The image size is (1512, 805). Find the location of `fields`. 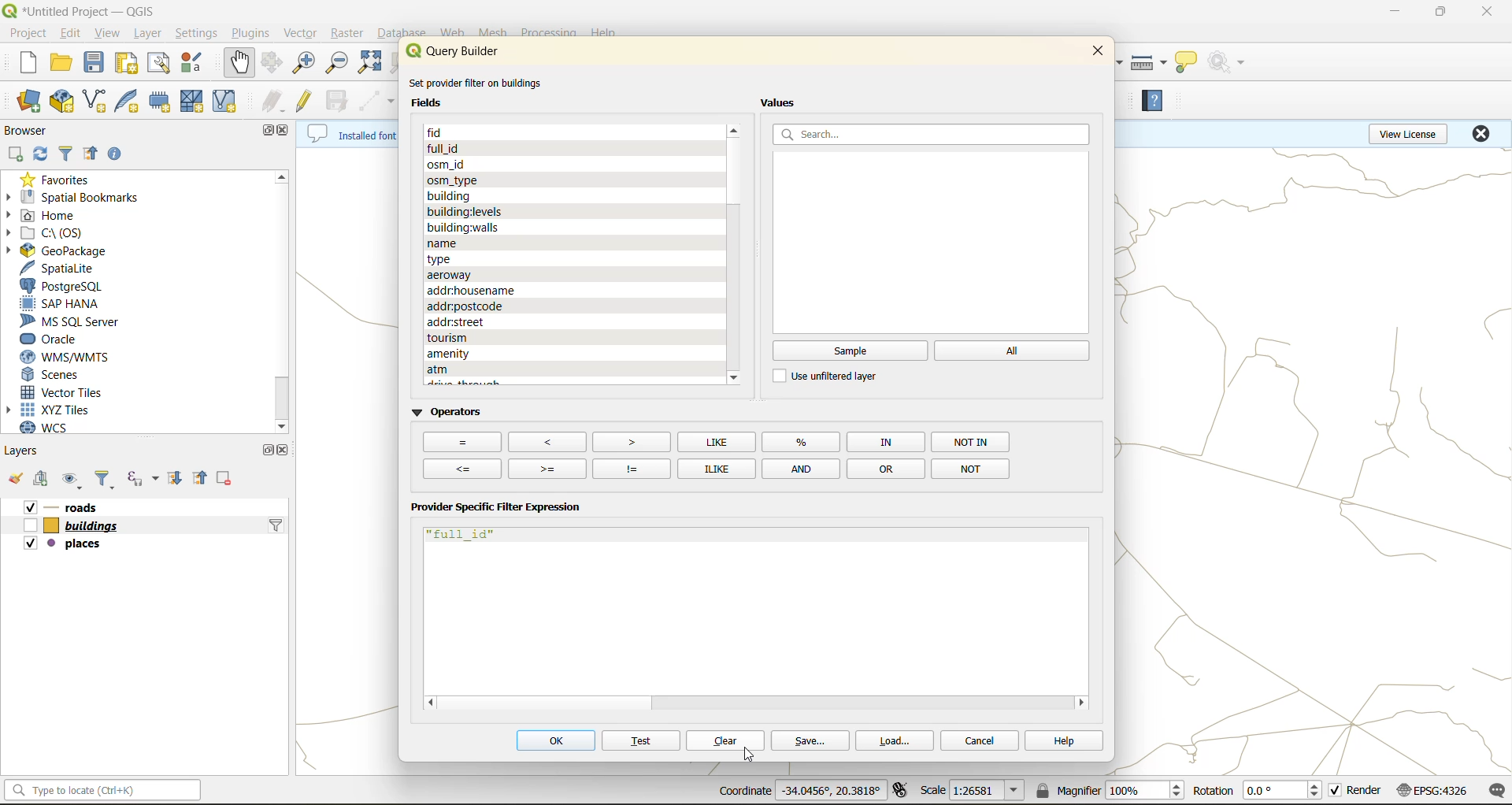

fields is located at coordinates (455, 273).